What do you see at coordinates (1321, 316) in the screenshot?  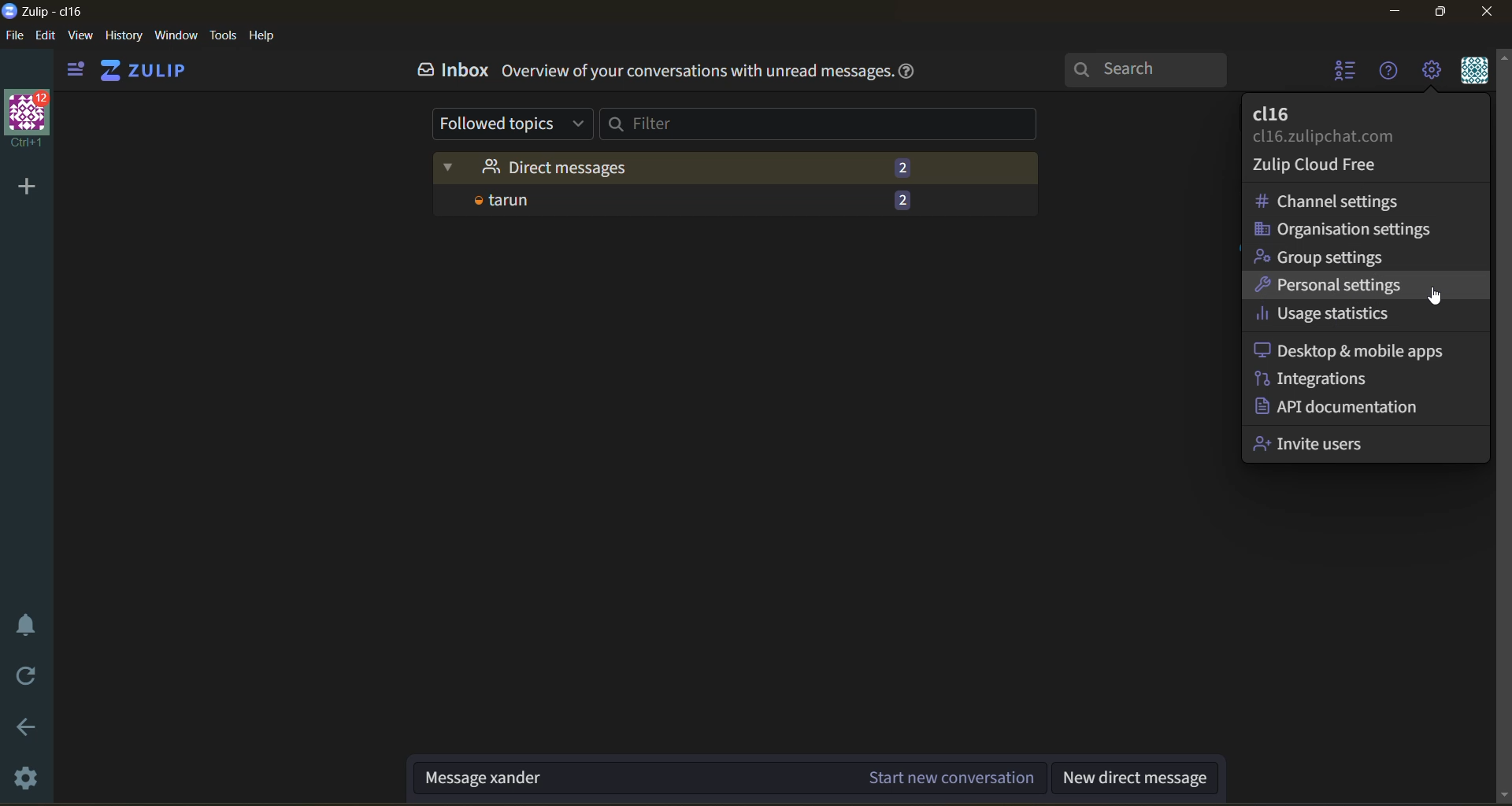 I see `usage statistics` at bounding box center [1321, 316].